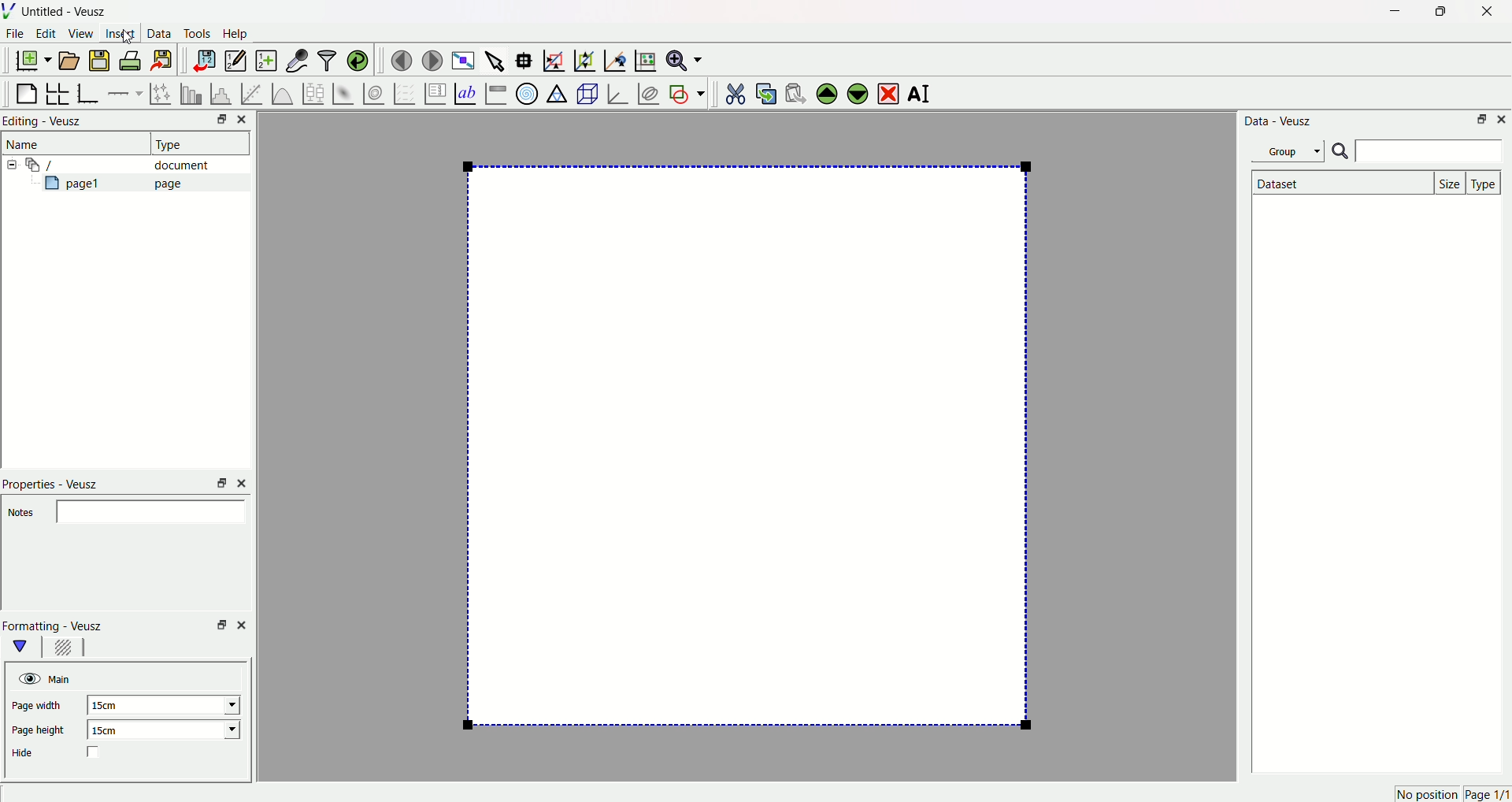 This screenshot has height=802, width=1512. I want to click on Notes., so click(22, 514).